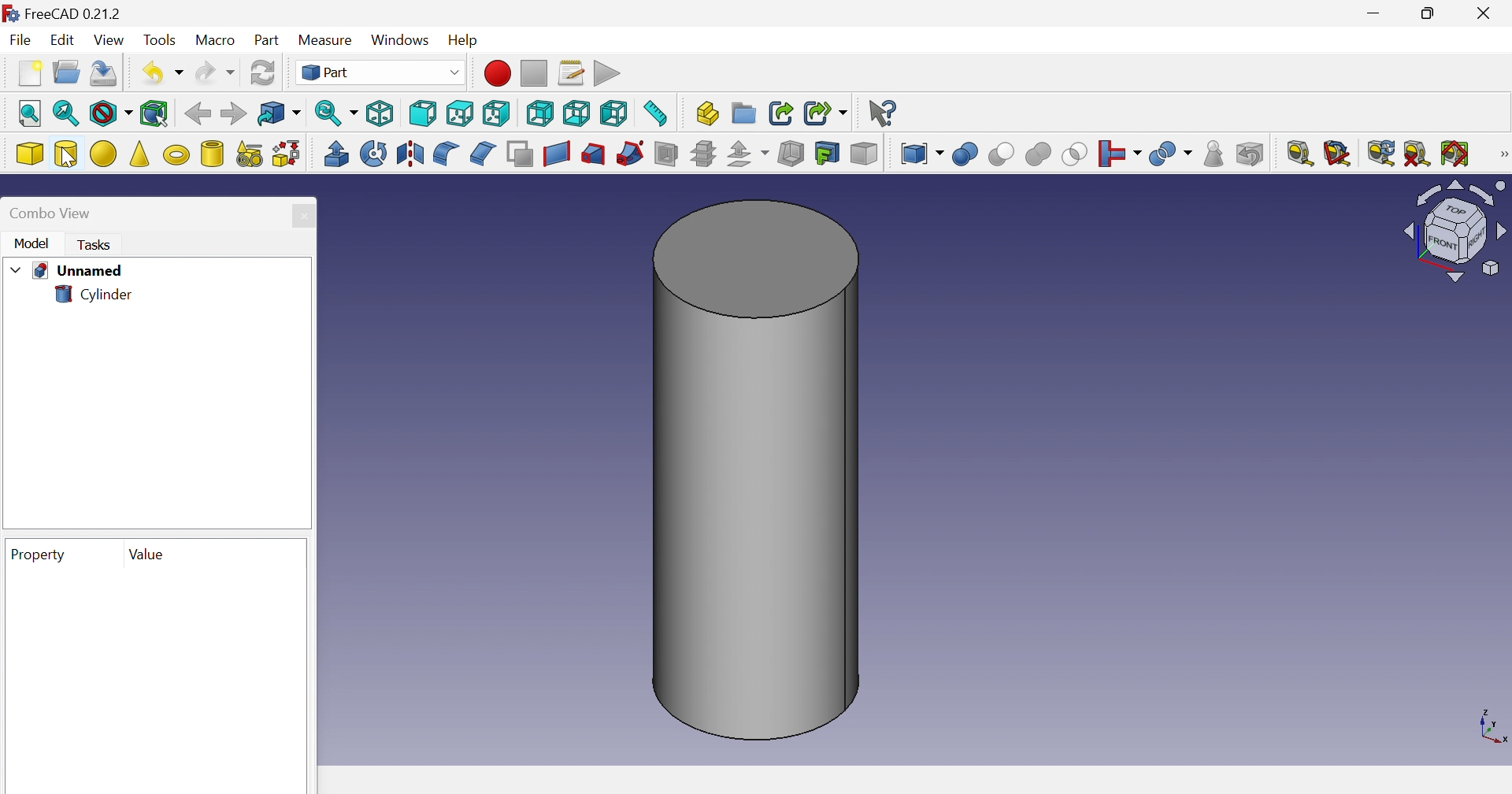 The image size is (1512, 794). I want to click on Macros, so click(571, 72).